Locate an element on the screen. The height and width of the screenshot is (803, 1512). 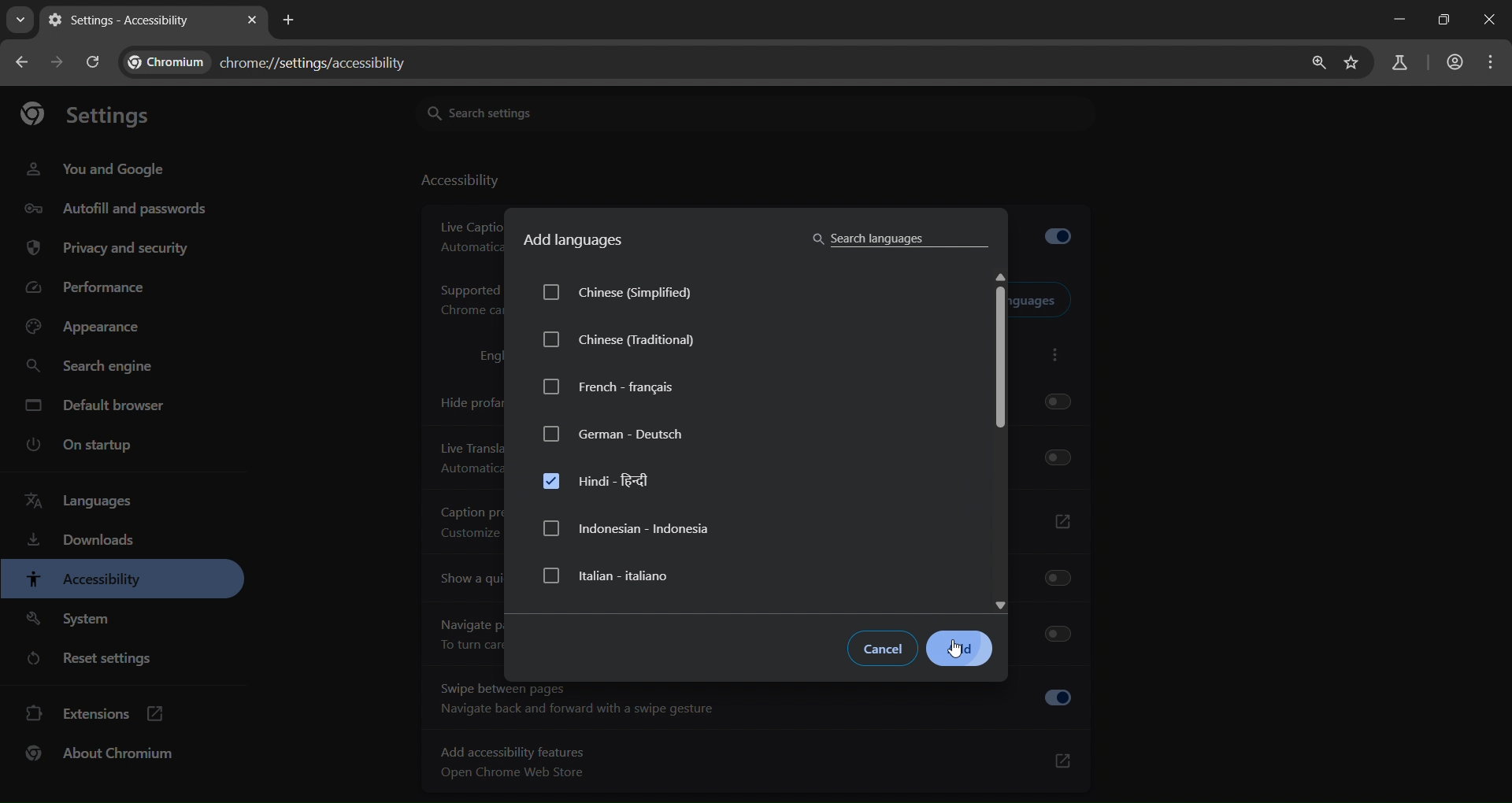
cursor is located at coordinates (959, 649).